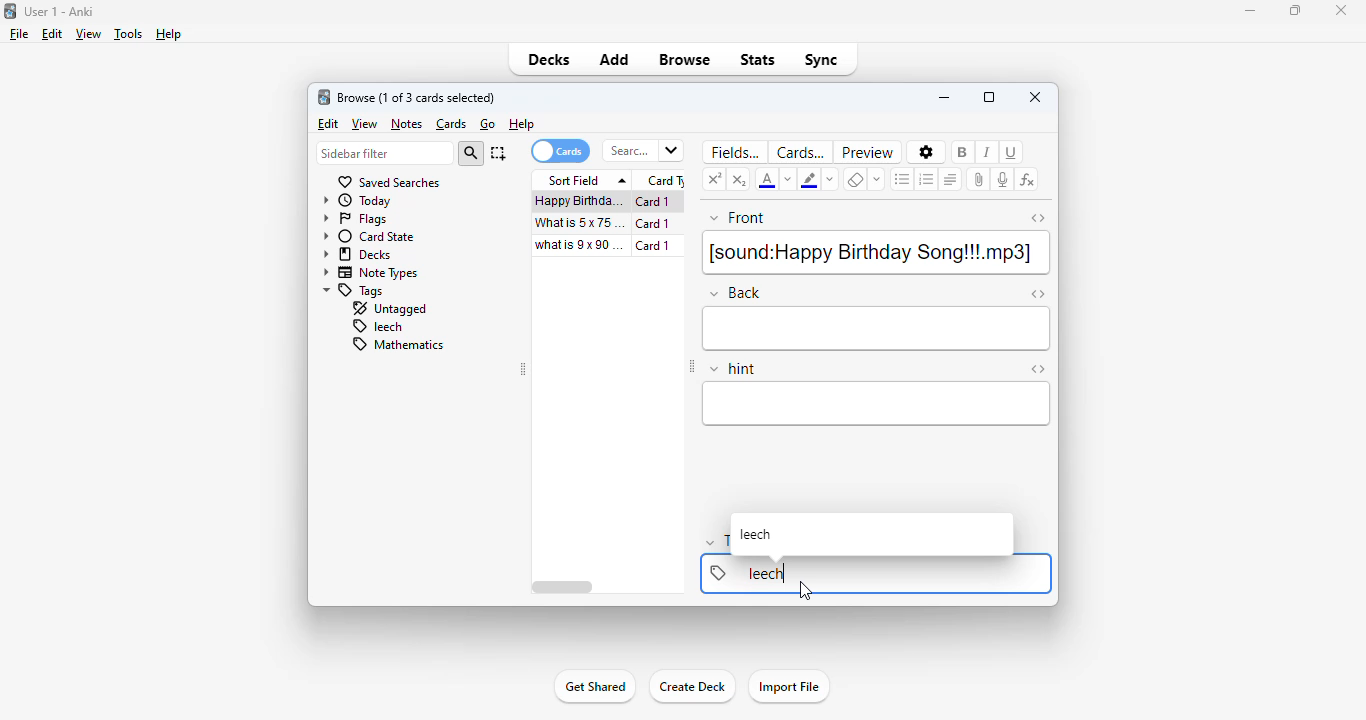 The width and height of the screenshot is (1366, 720). Describe the element at coordinates (828, 178) in the screenshot. I see `change color` at that location.